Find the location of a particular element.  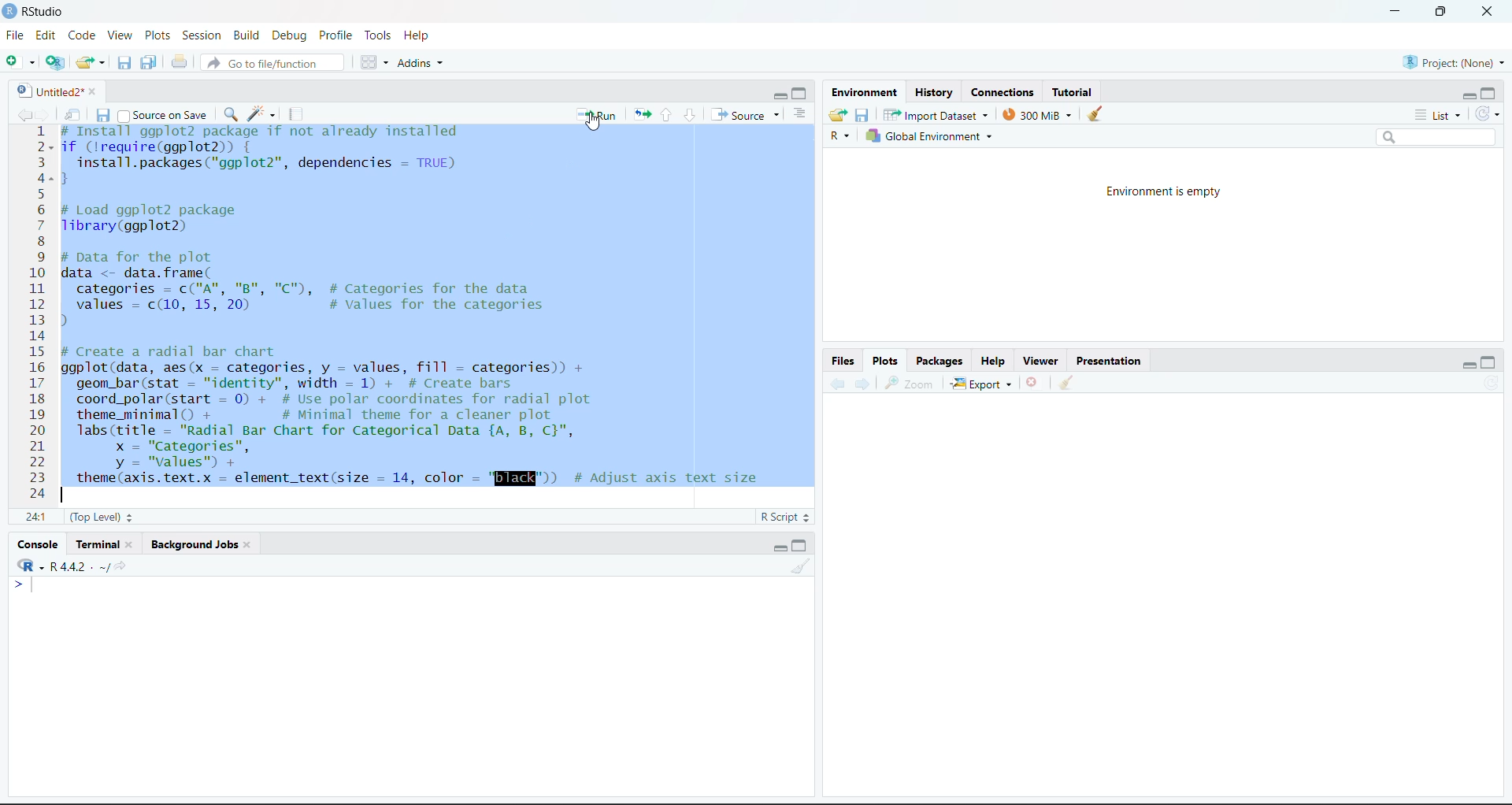

typing cursor is located at coordinates (67, 496).